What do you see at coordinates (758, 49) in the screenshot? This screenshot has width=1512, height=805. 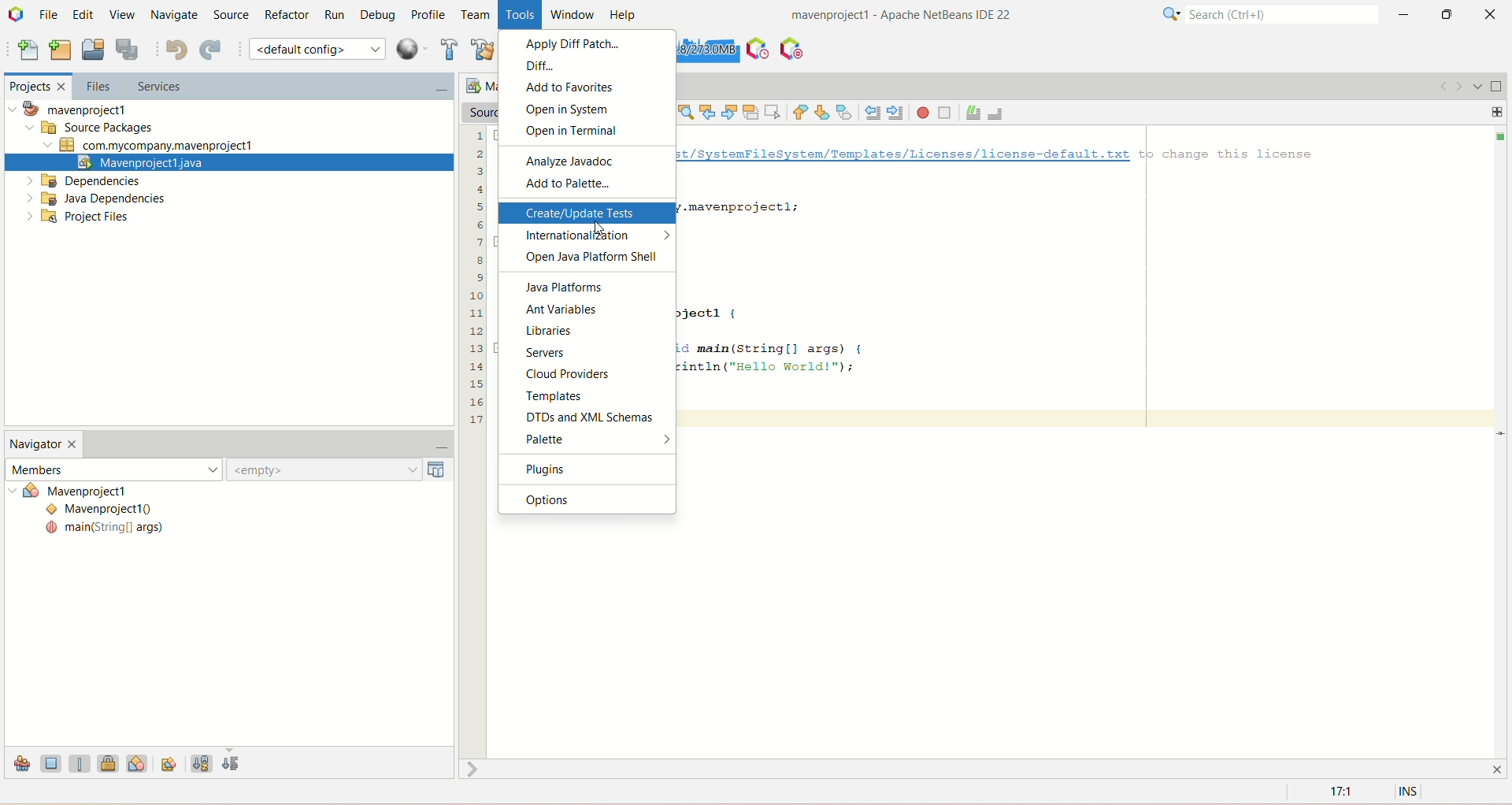 I see `profile IDE` at bounding box center [758, 49].